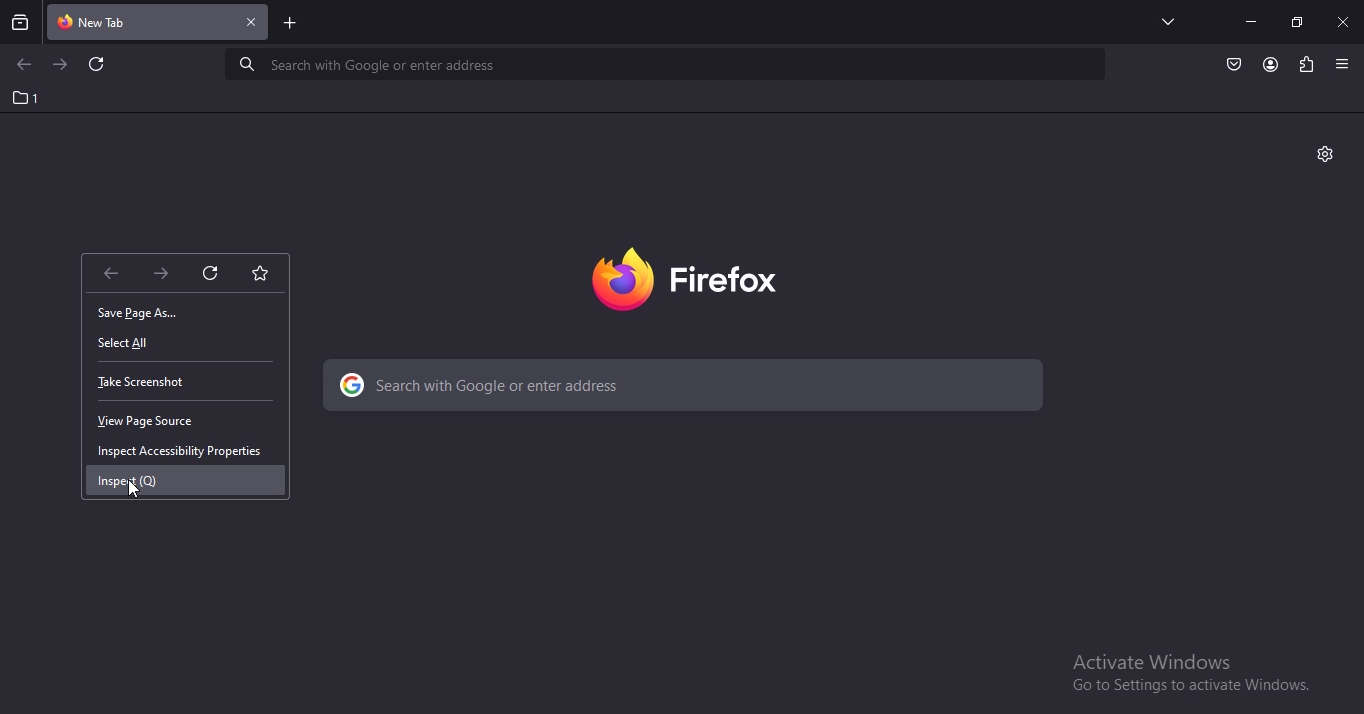 The image size is (1364, 714). What do you see at coordinates (131, 21) in the screenshot?
I see `current tab` at bounding box center [131, 21].